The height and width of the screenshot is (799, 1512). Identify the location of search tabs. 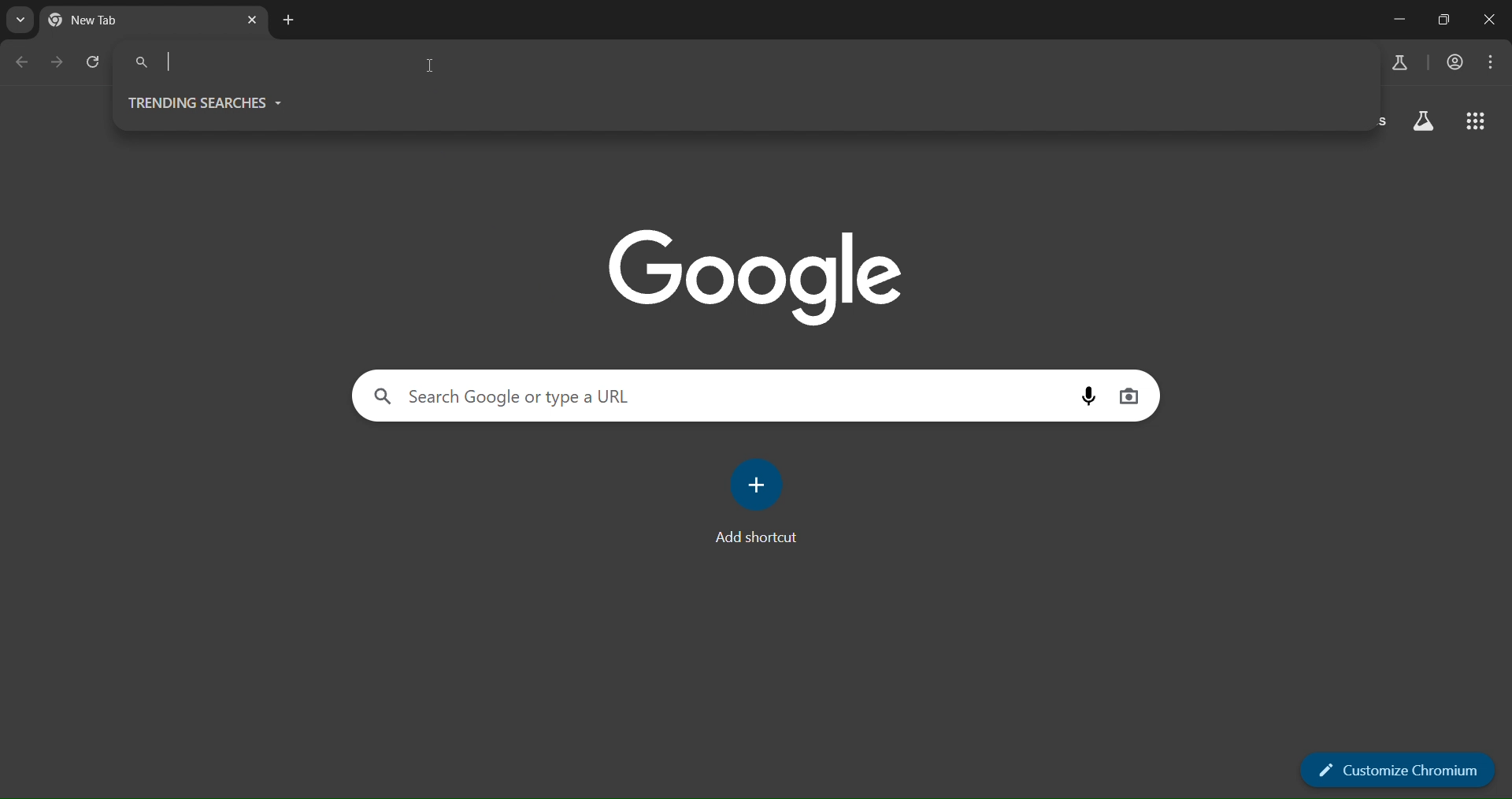
(17, 22).